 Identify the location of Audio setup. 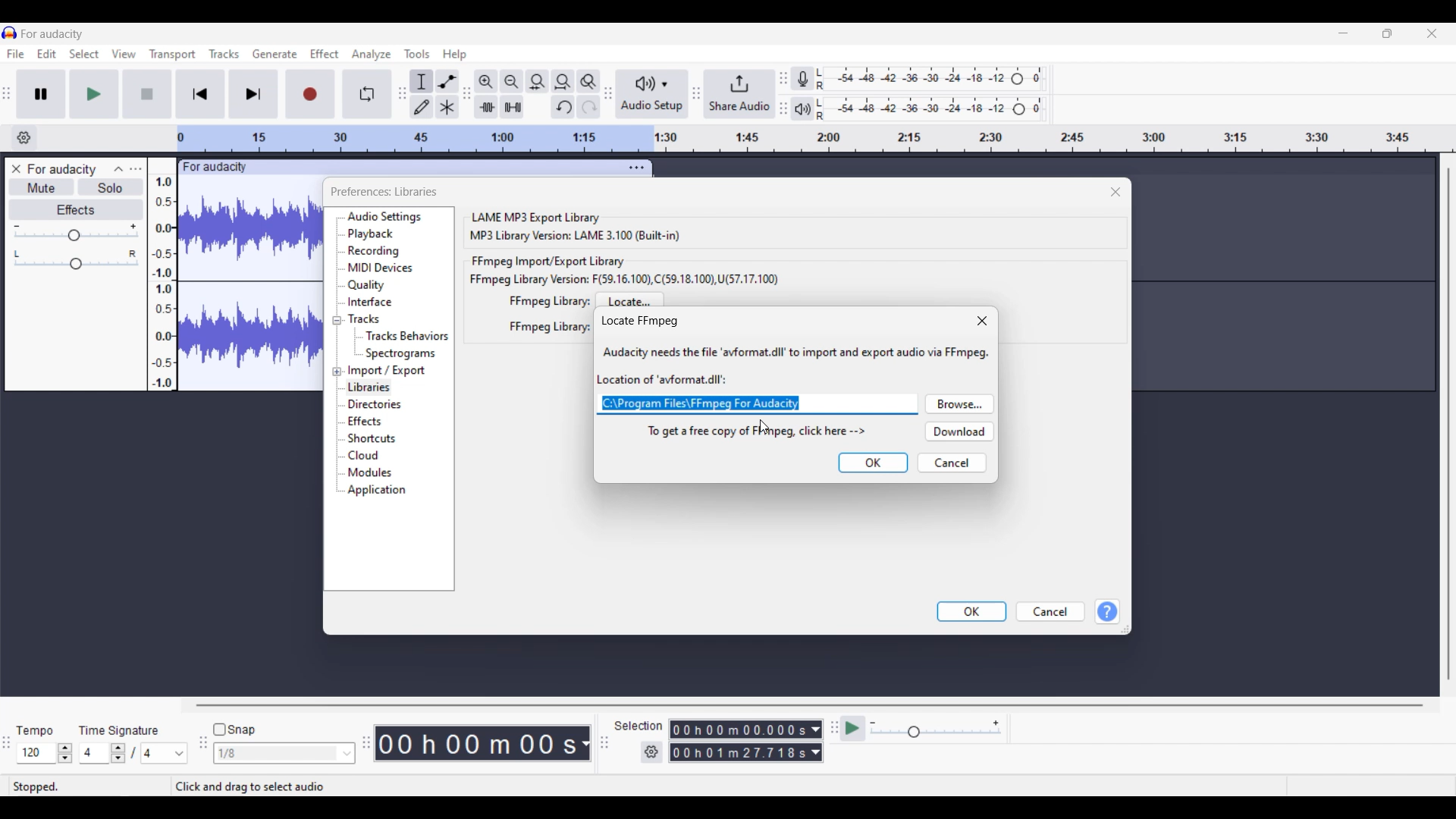
(651, 94).